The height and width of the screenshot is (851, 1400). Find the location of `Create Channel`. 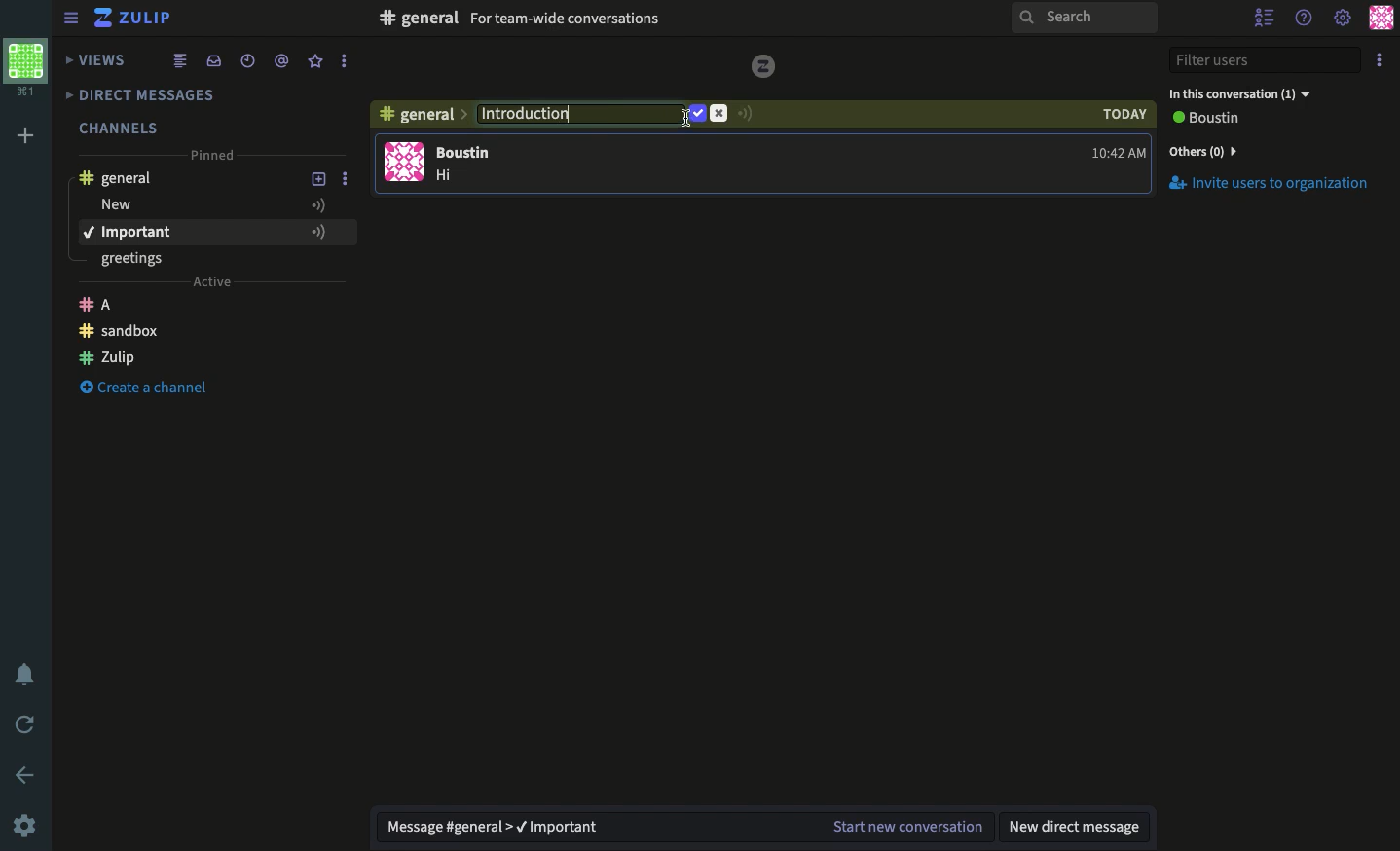

Create Channel is located at coordinates (159, 392).